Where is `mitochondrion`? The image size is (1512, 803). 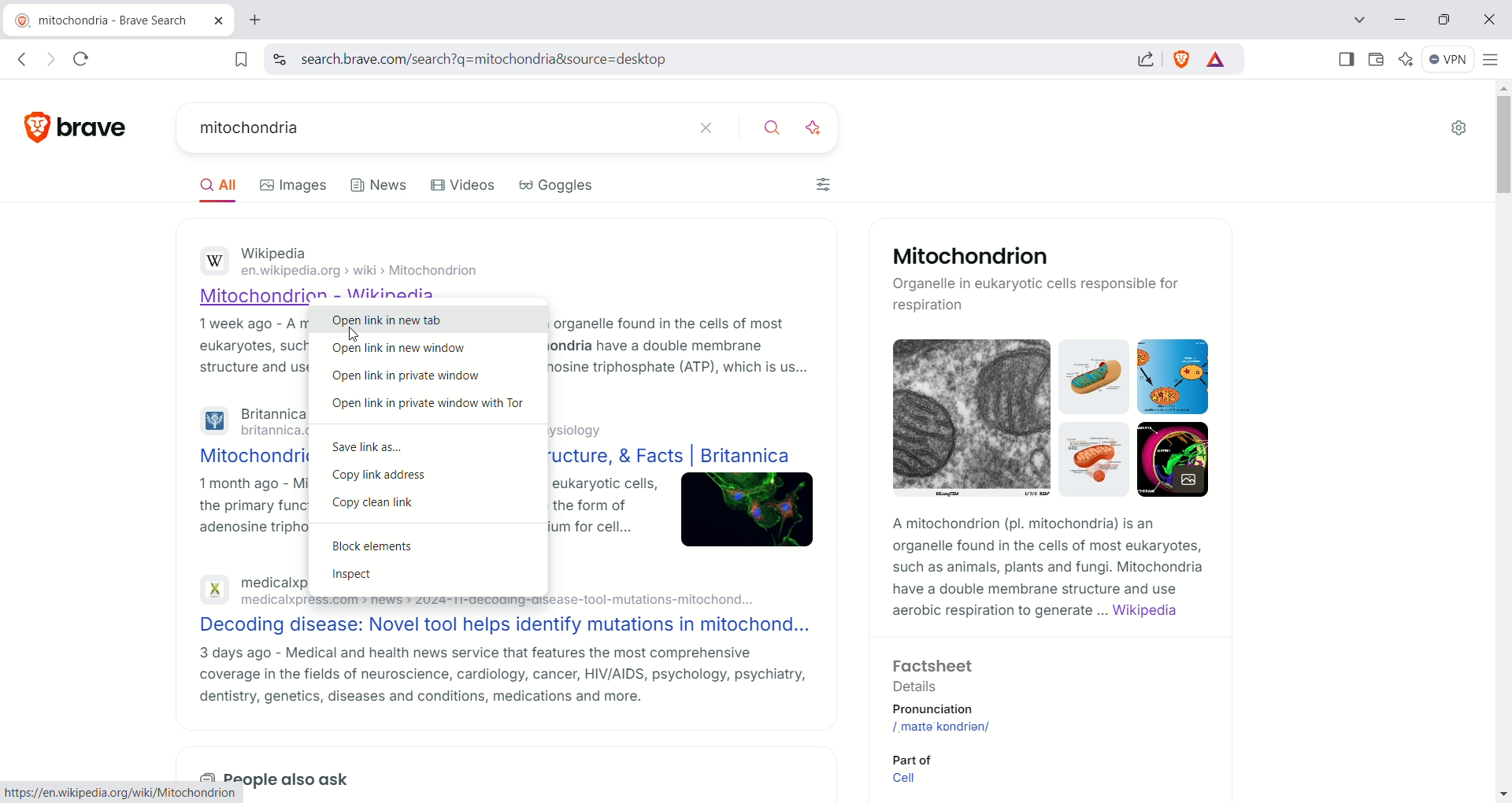 mitochondrion is located at coordinates (942, 730).